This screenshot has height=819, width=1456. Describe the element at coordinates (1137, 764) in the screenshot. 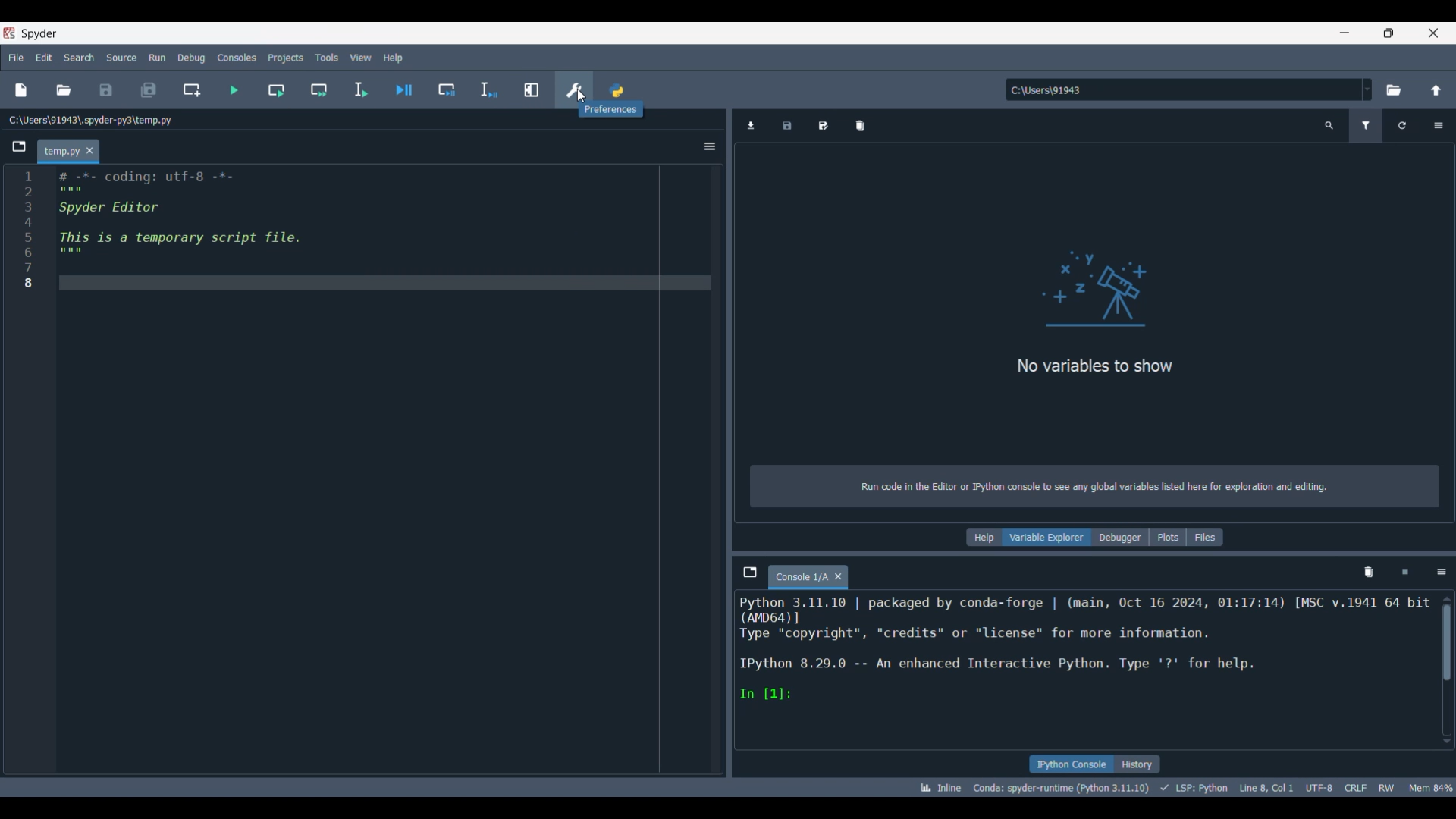

I see `History` at that location.